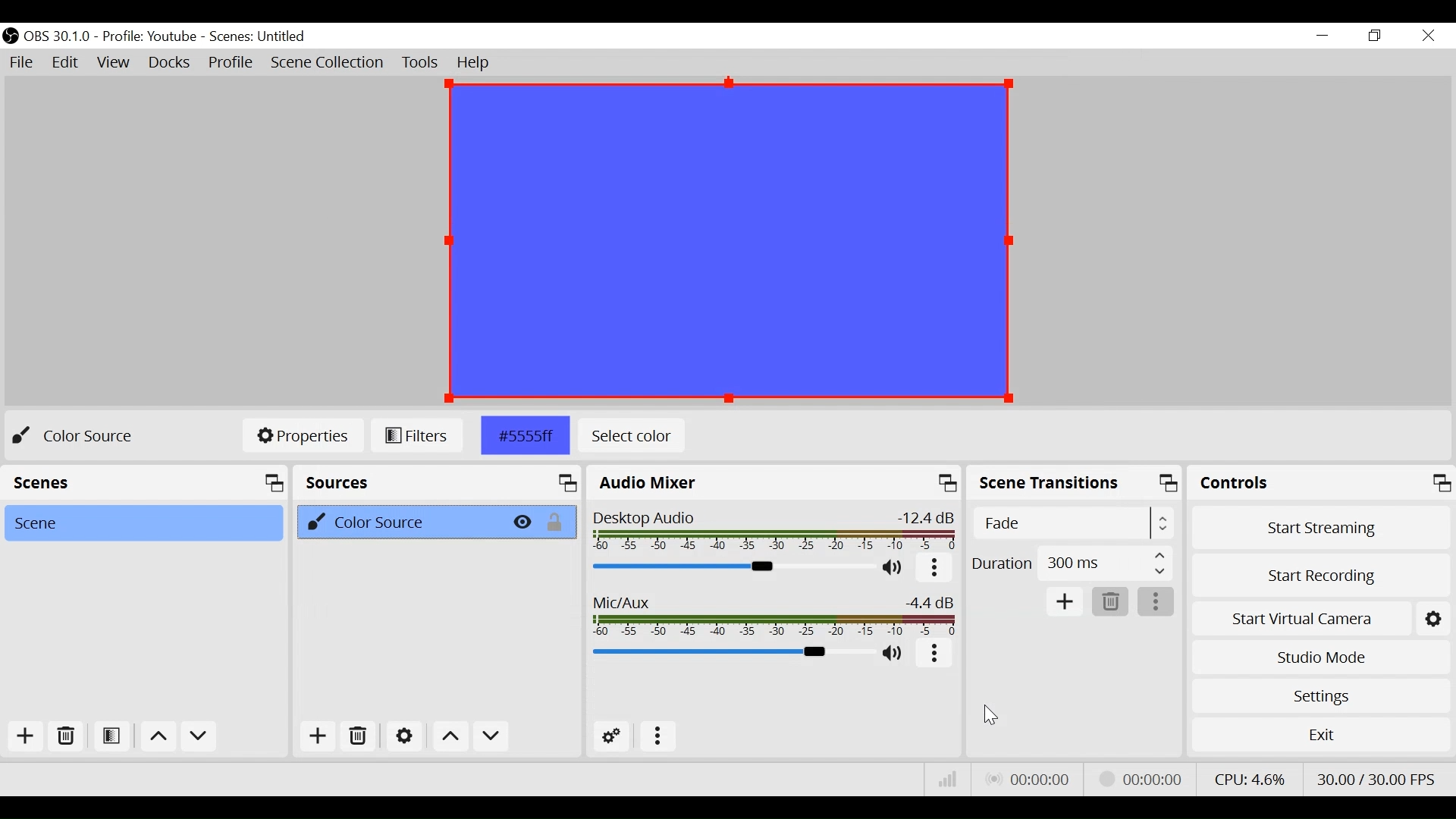  Describe the element at coordinates (1076, 485) in the screenshot. I see `Scene Transitions` at that location.